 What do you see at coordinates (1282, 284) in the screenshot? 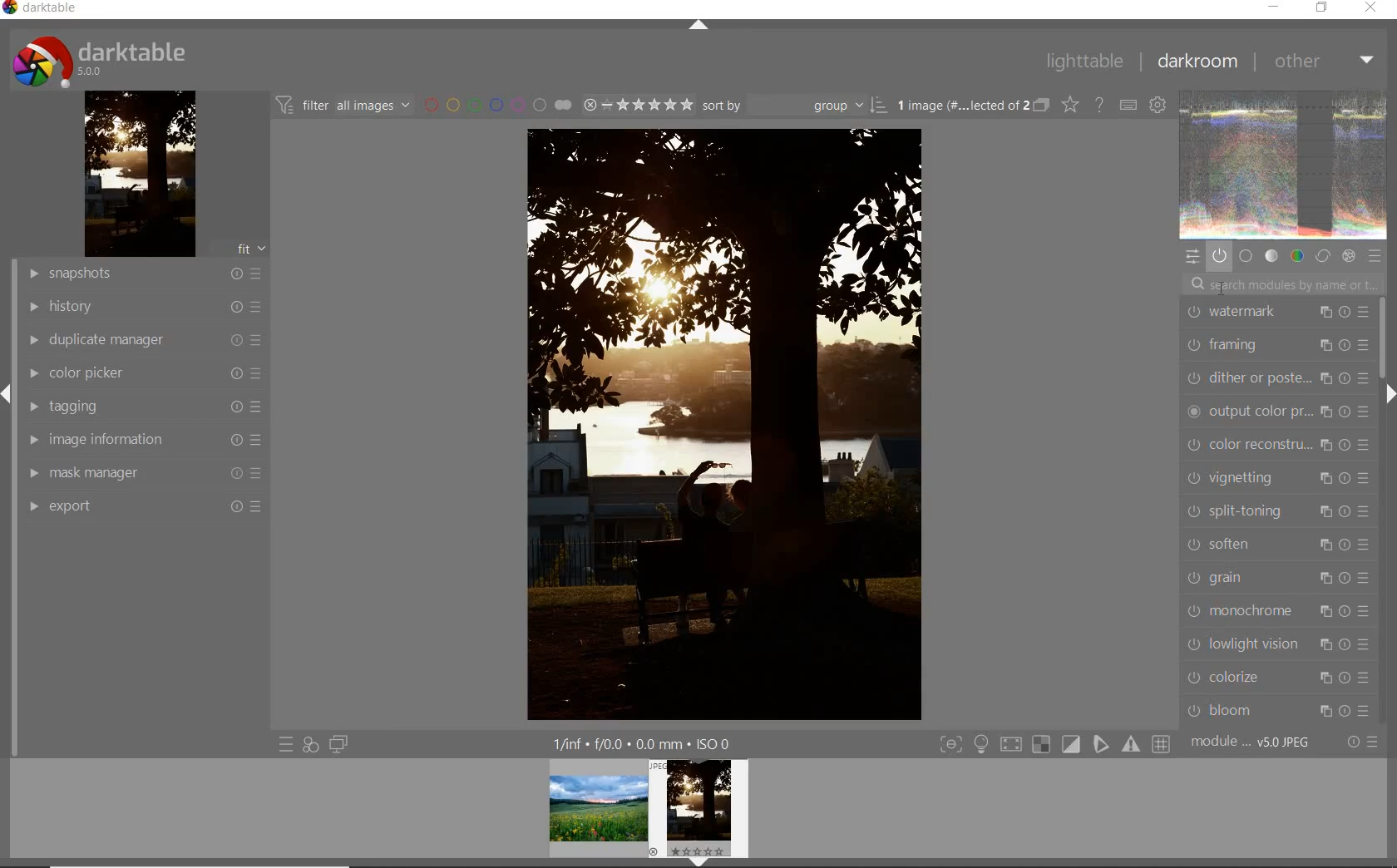
I see `search modules` at bounding box center [1282, 284].